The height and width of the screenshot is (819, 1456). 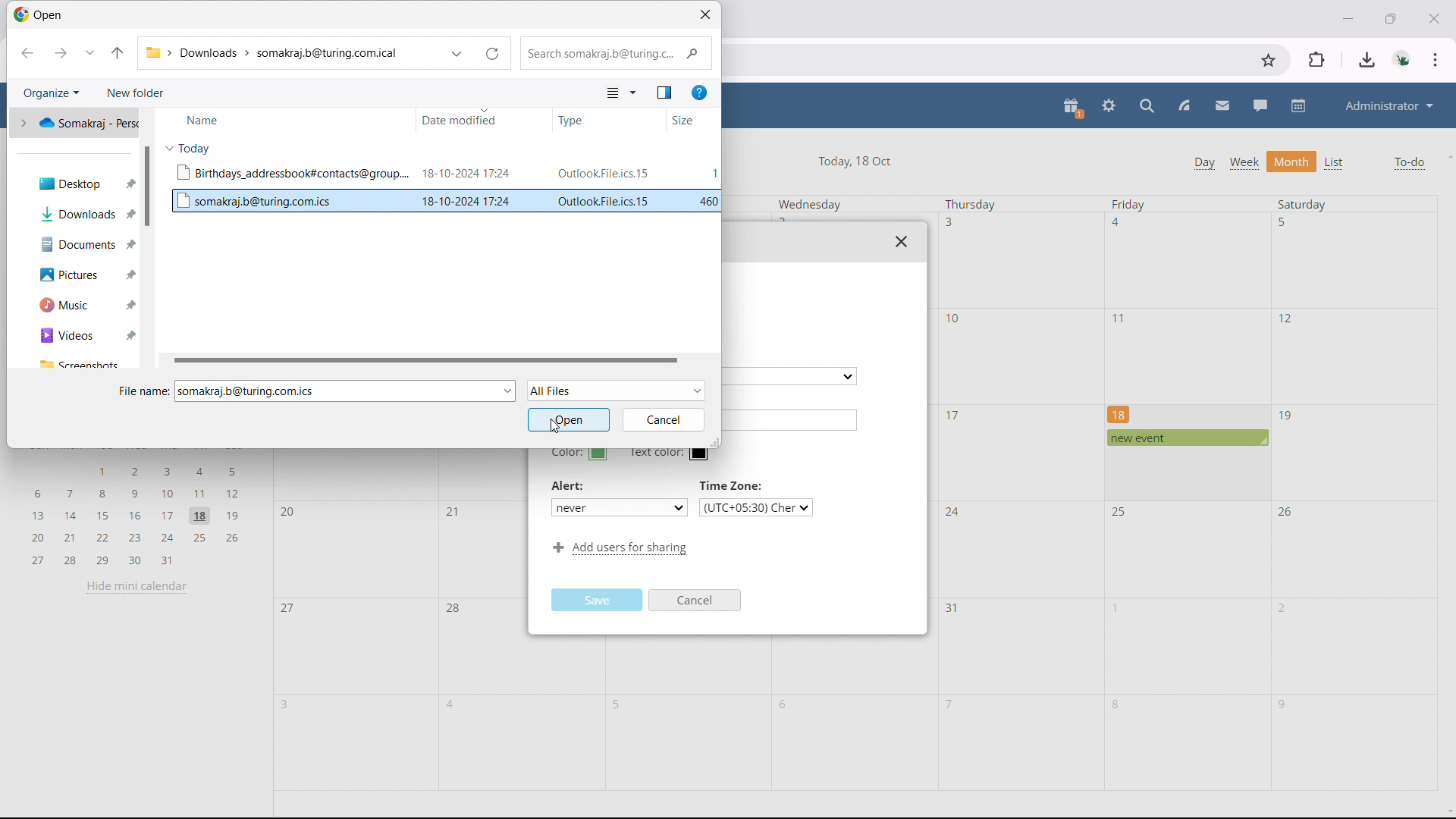 What do you see at coordinates (1148, 106) in the screenshot?
I see `search` at bounding box center [1148, 106].